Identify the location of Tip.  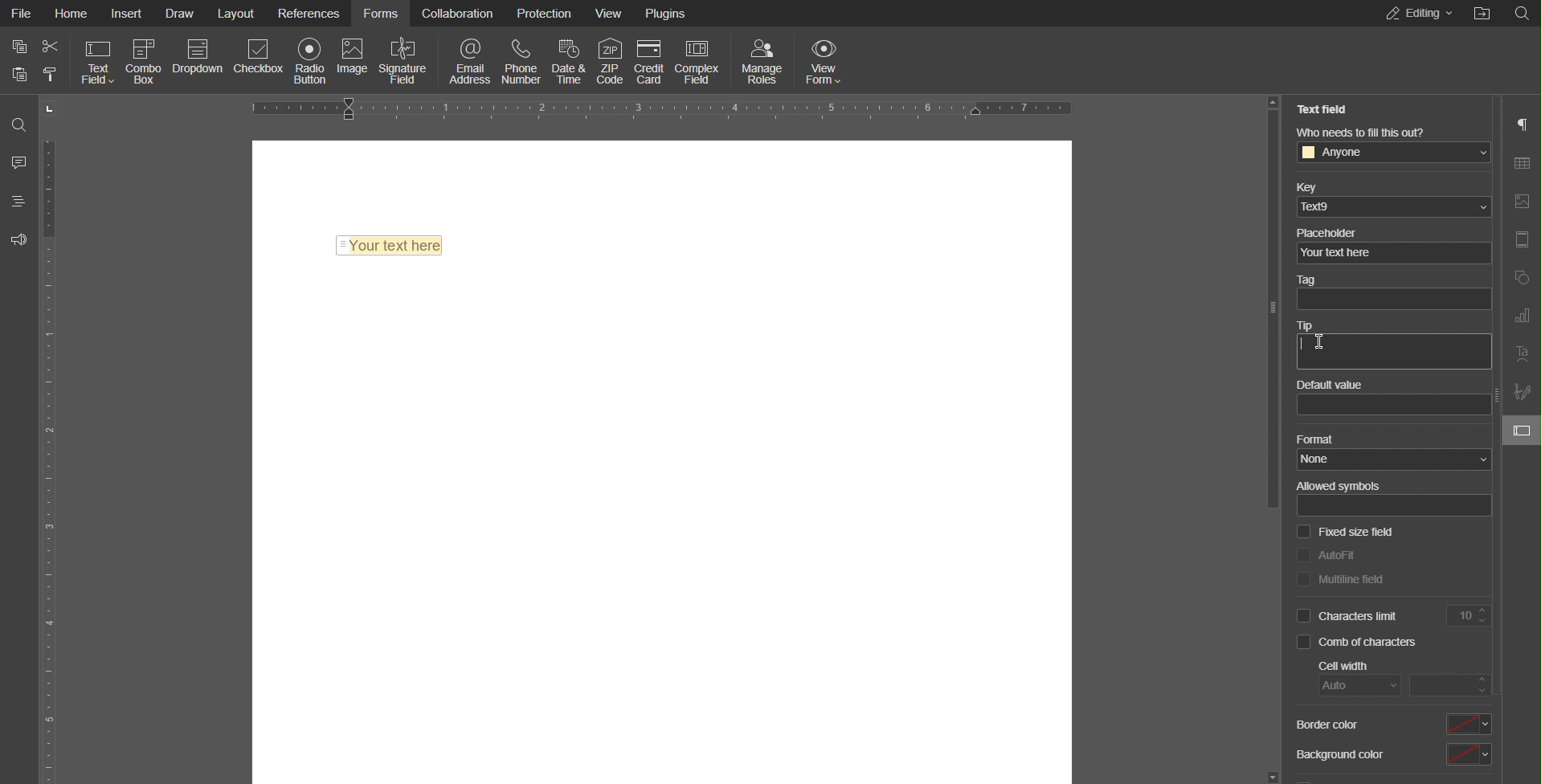
(1312, 321).